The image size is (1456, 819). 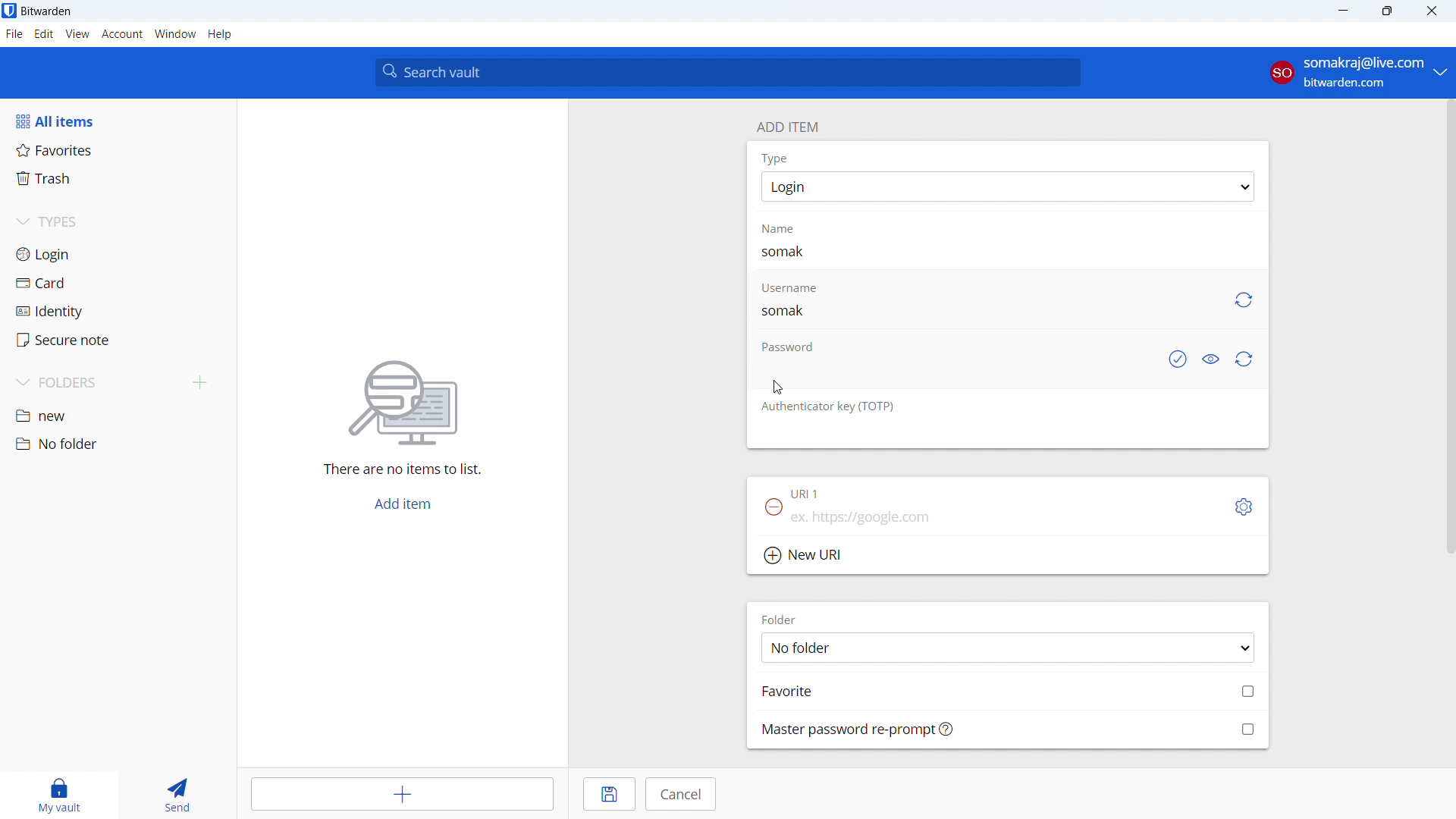 What do you see at coordinates (402, 505) in the screenshot?
I see `add item` at bounding box center [402, 505].